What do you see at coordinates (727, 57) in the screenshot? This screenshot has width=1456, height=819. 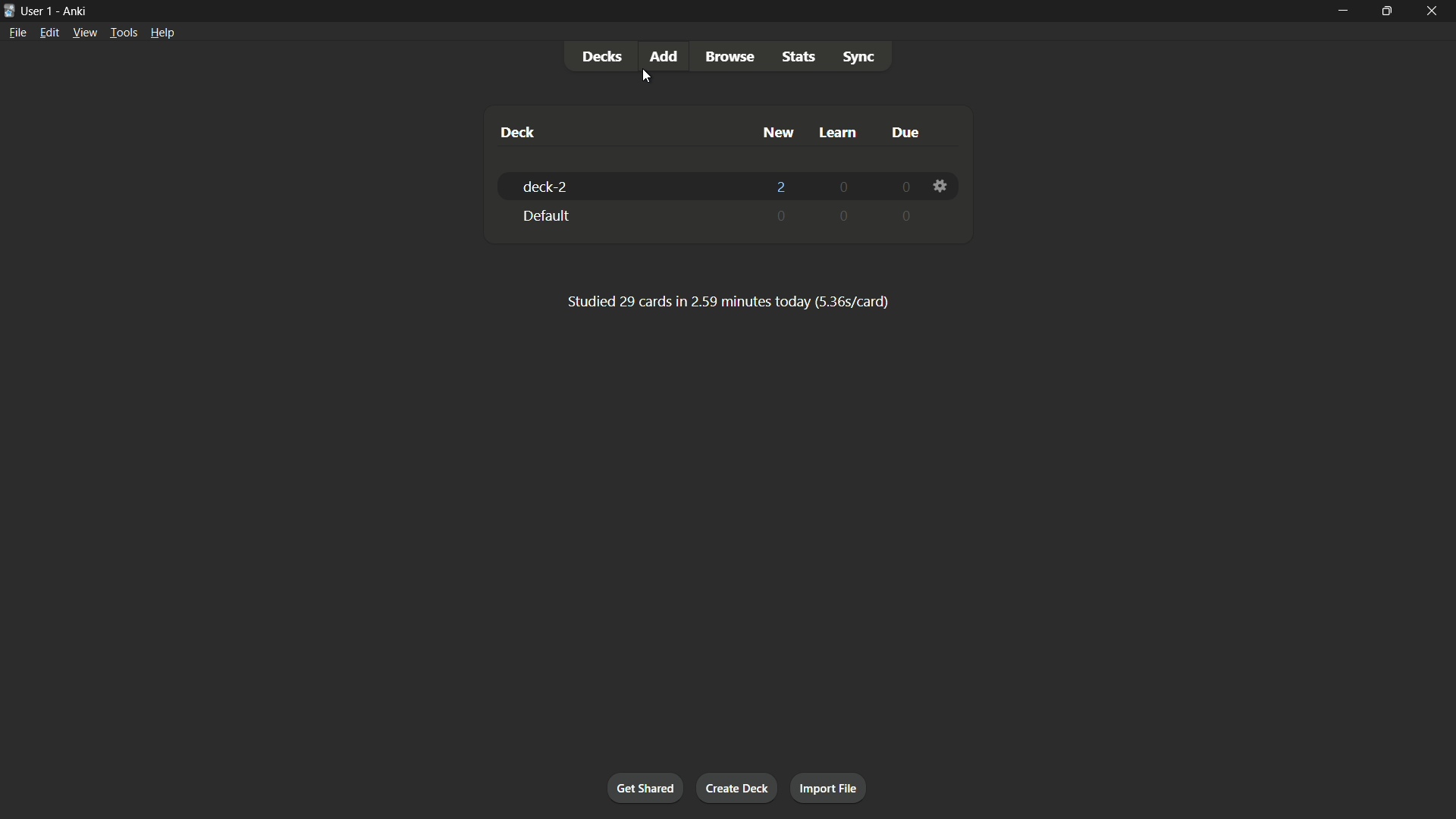 I see `browse` at bounding box center [727, 57].